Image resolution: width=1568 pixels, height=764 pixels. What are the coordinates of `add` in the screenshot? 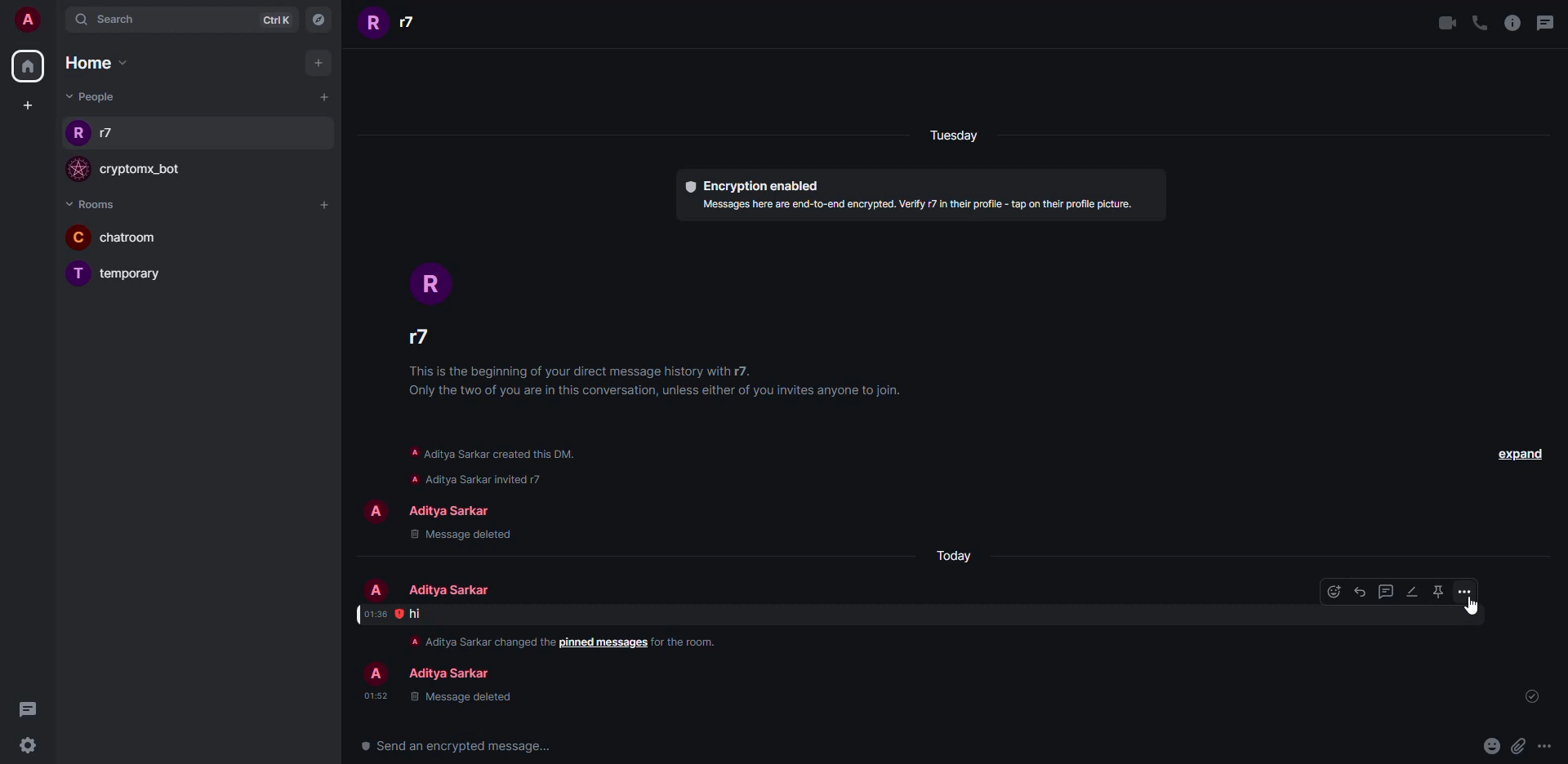 It's located at (323, 95).